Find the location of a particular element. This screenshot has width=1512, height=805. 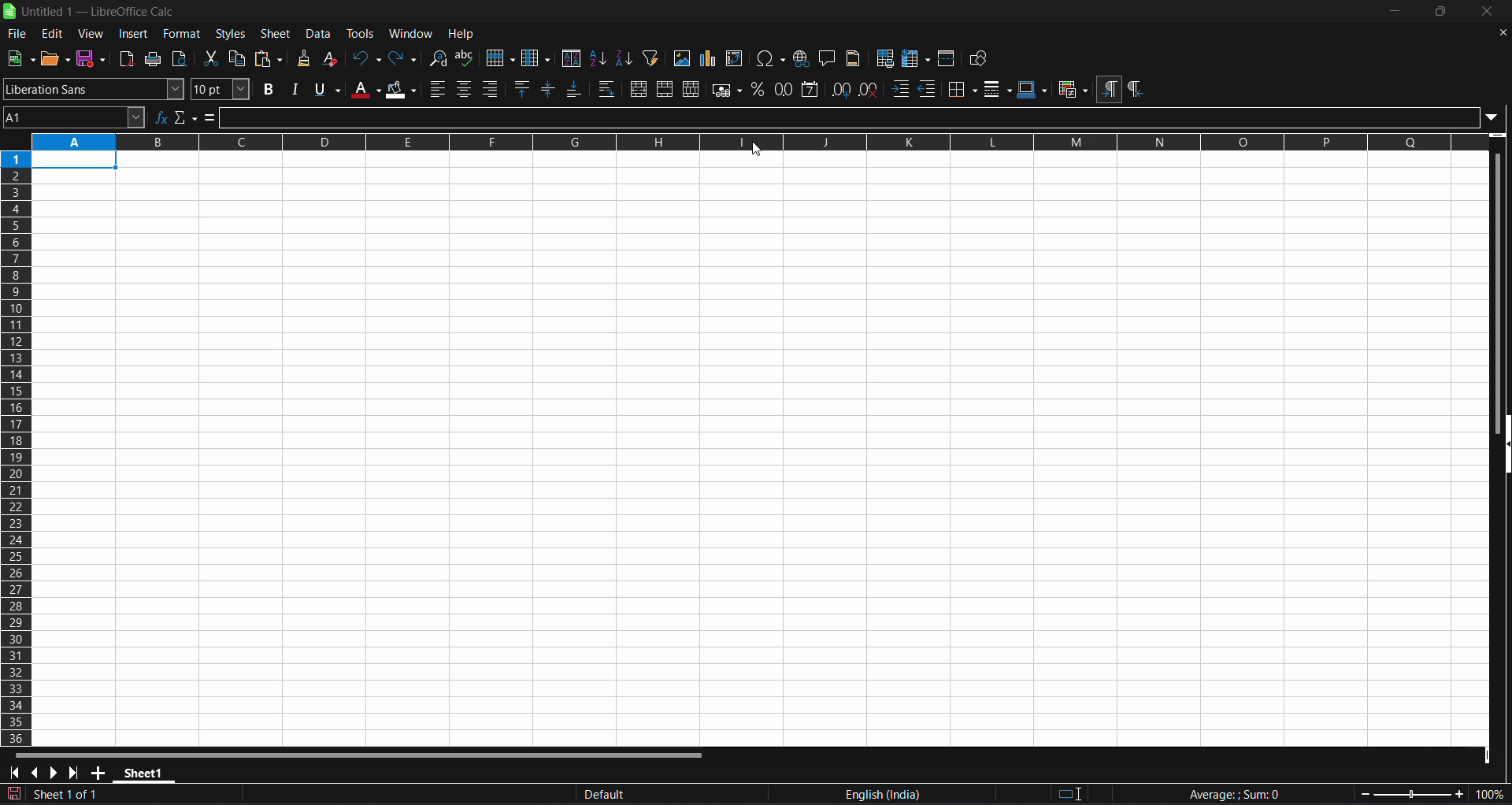

edit is located at coordinates (51, 32).